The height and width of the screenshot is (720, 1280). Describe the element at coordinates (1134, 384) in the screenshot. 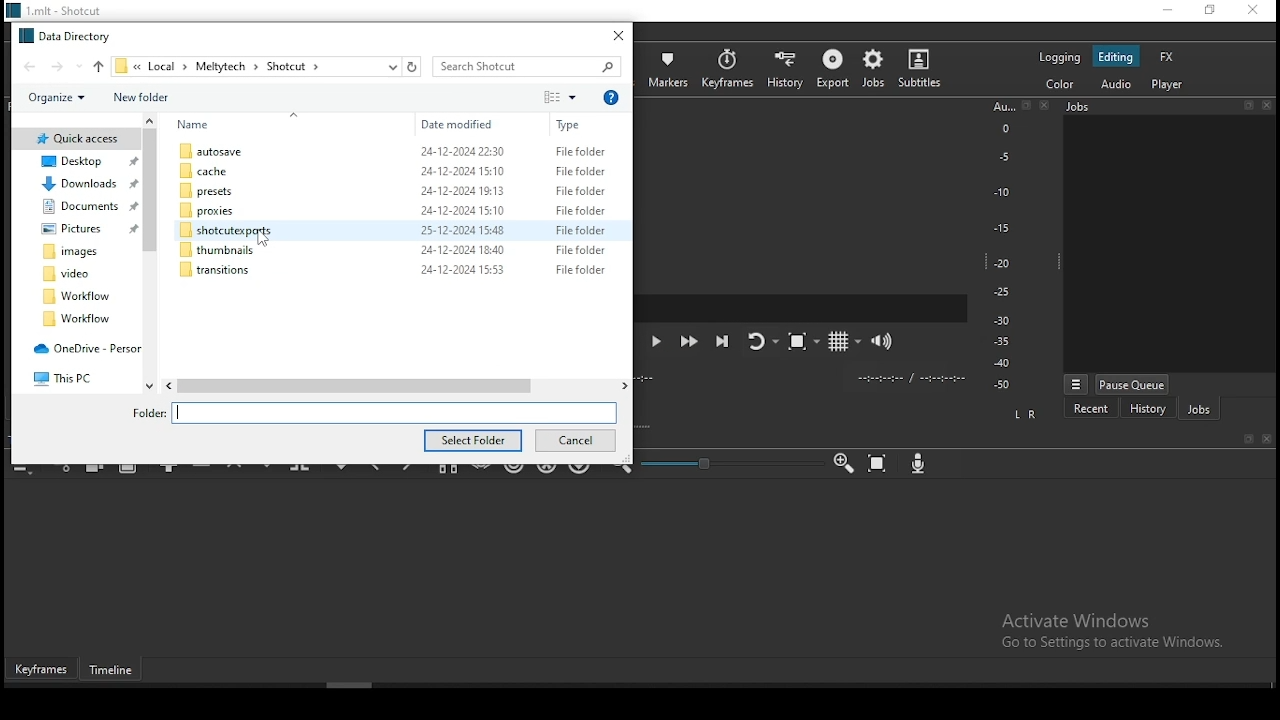

I see `pause queue` at that location.